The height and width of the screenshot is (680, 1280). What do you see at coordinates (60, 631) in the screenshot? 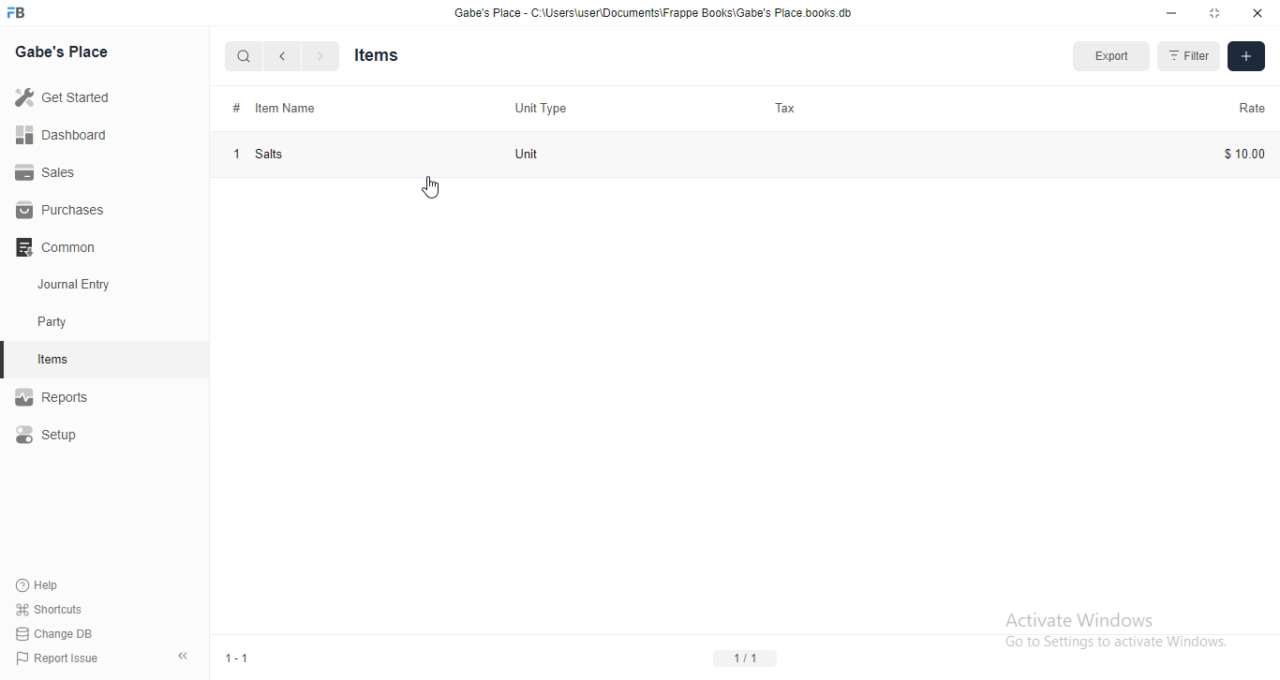
I see `Change DB` at bounding box center [60, 631].